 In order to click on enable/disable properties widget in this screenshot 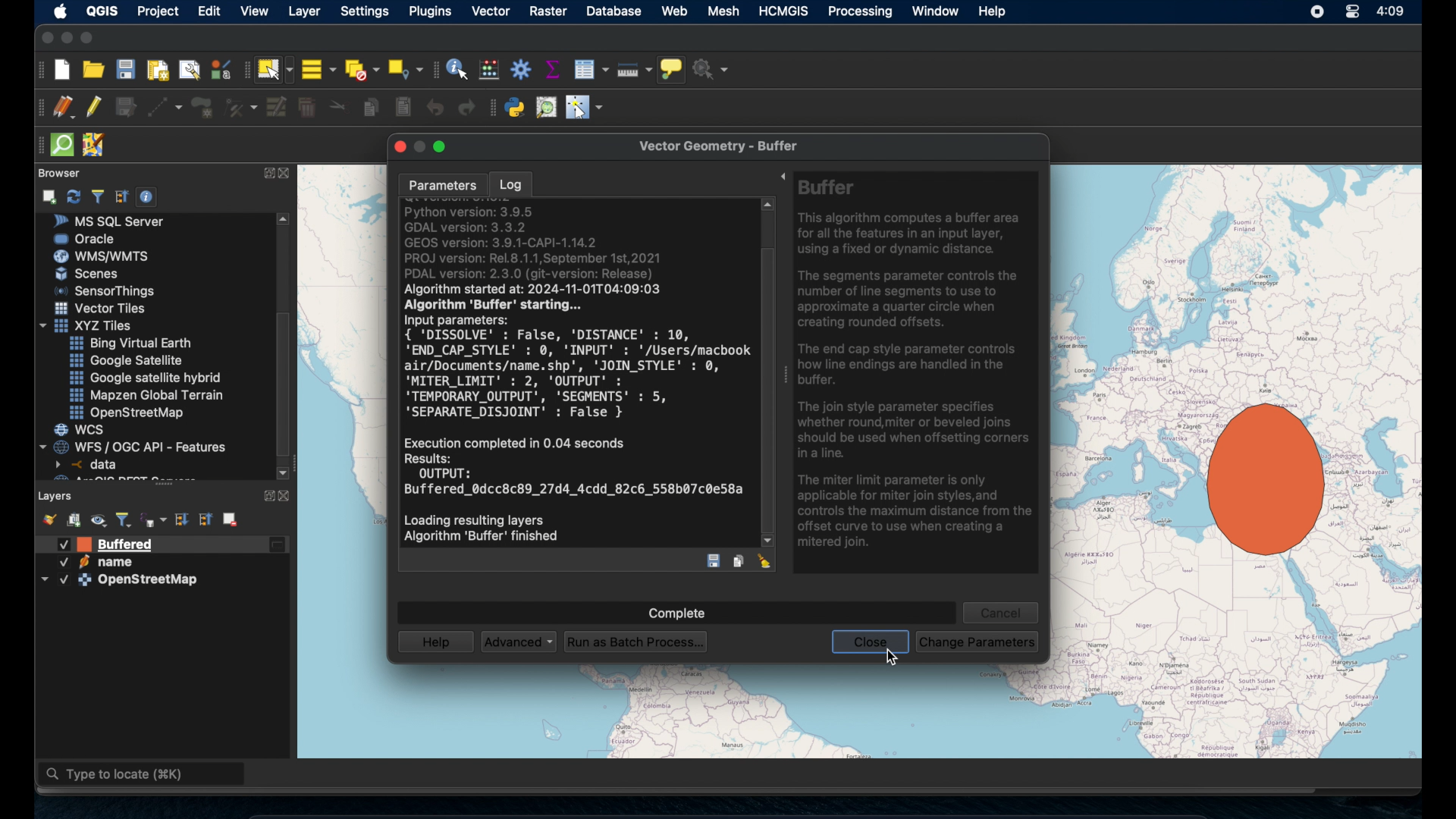, I will do `click(149, 197)`.